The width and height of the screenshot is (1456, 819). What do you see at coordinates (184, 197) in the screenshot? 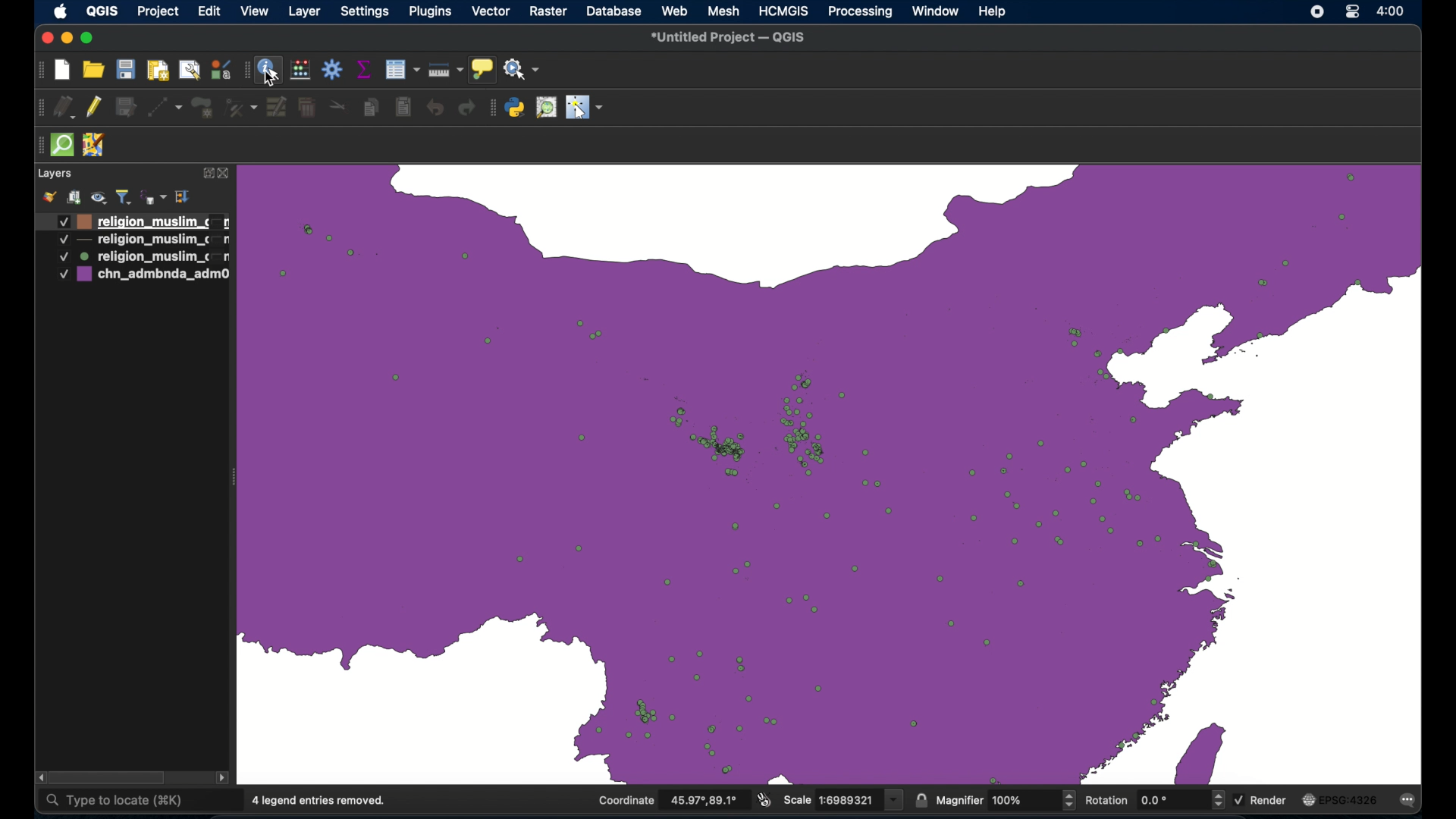
I see `expand all` at bounding box center [184, 197].